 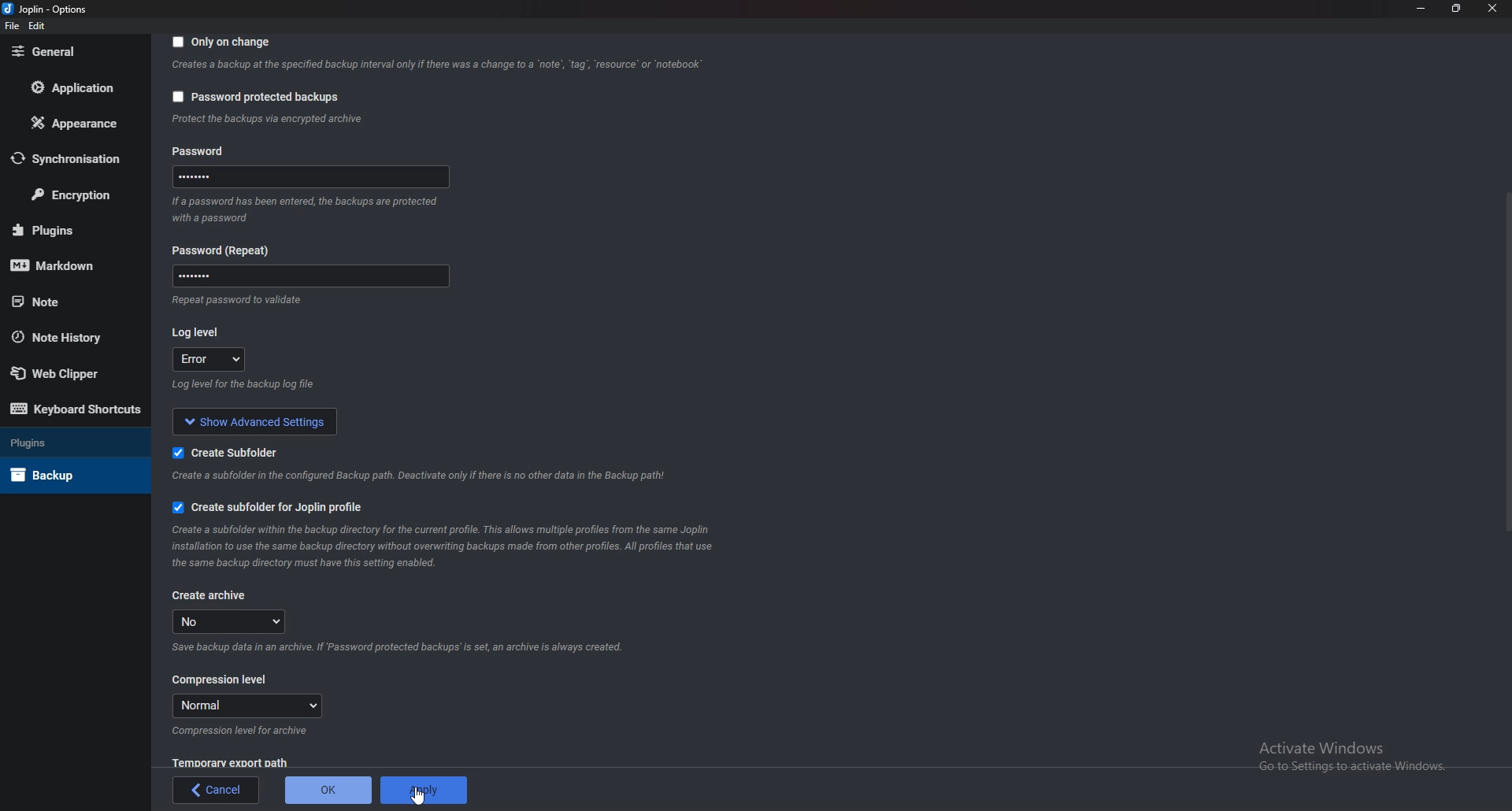 What do you see at coordinates (282, 505) in the screenshot?
I see `Create subfolder for joplin profile` at bounding box center [282, 505].